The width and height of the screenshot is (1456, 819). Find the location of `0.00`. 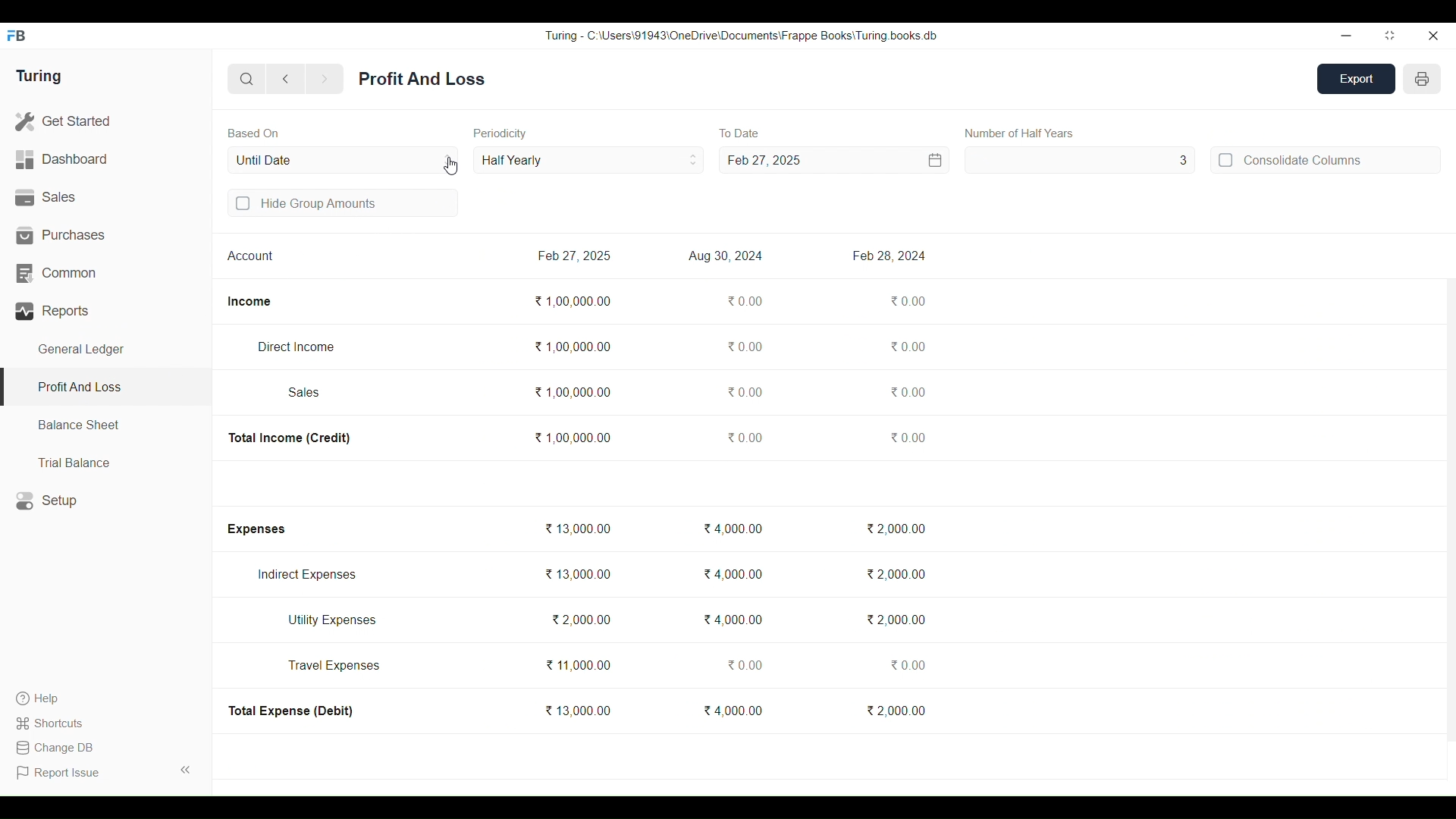

0.00 is located at coordinates (908, 437).